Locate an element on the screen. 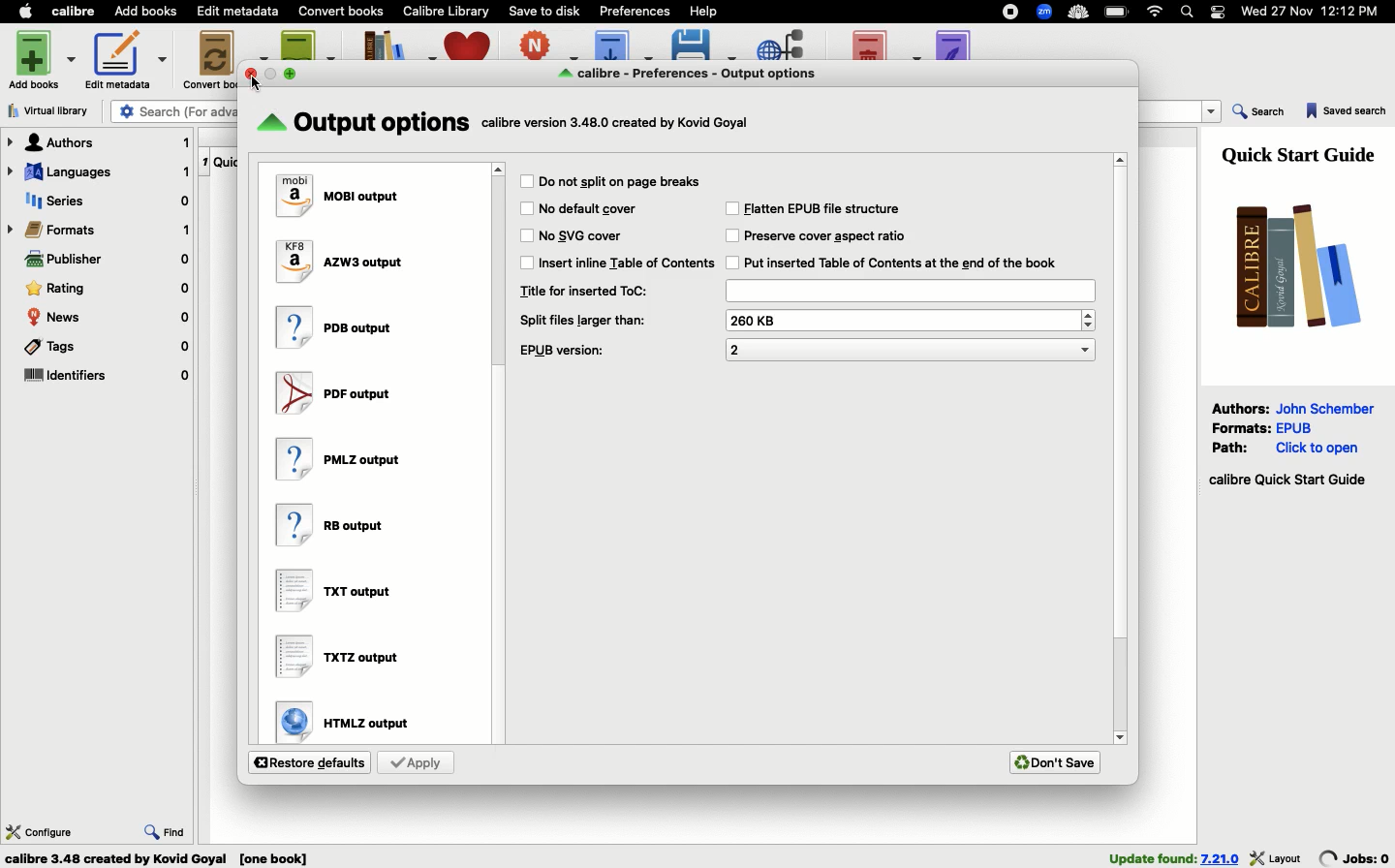 This screenshot has height=868, width=1395. Authors is located at coordinates (99, 142).